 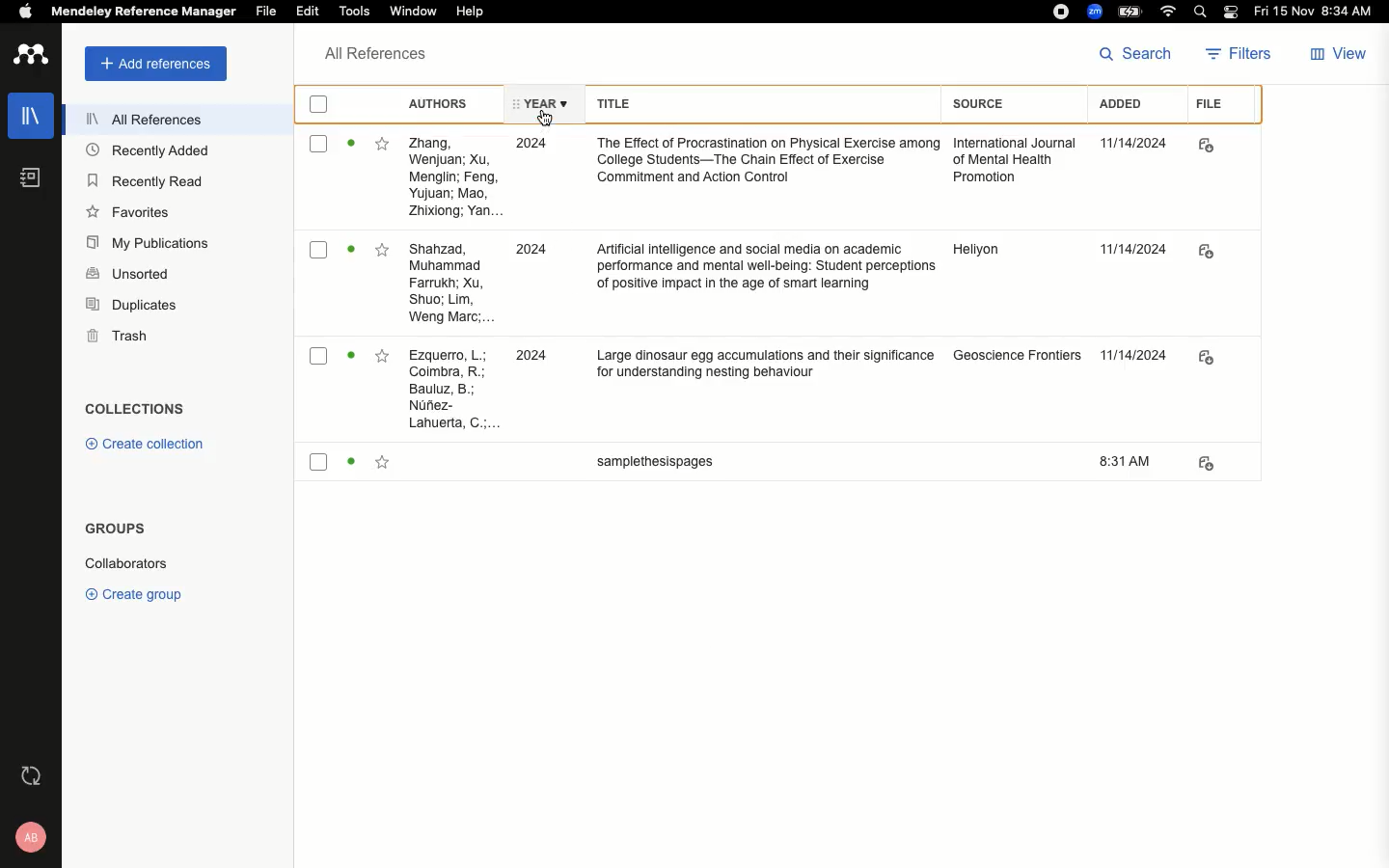 I want to click on Create group, so click(x=130, y=594).